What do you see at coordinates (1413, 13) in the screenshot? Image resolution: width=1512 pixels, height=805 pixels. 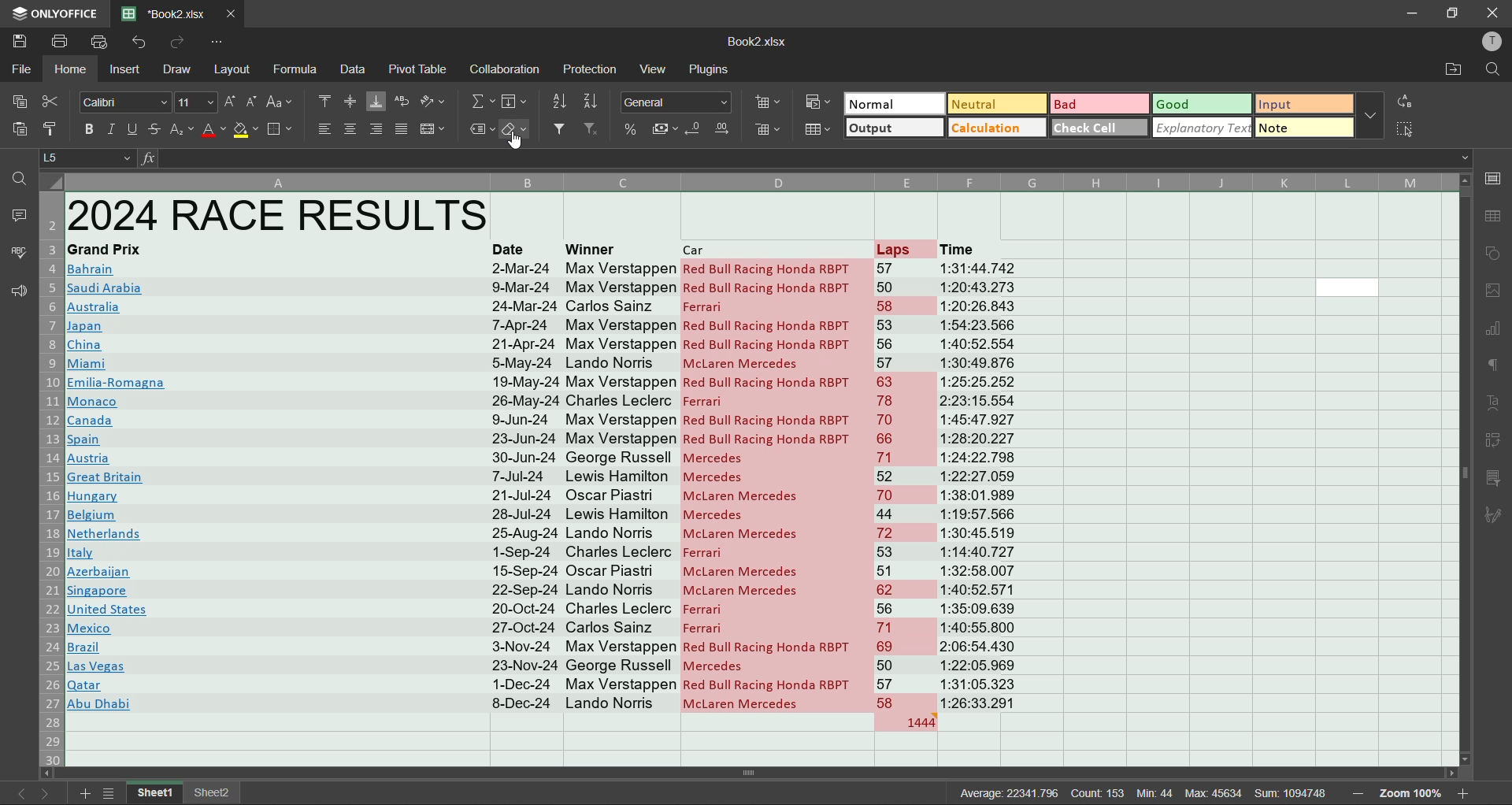 I see `minimize` at bounding box center [1413, 13].